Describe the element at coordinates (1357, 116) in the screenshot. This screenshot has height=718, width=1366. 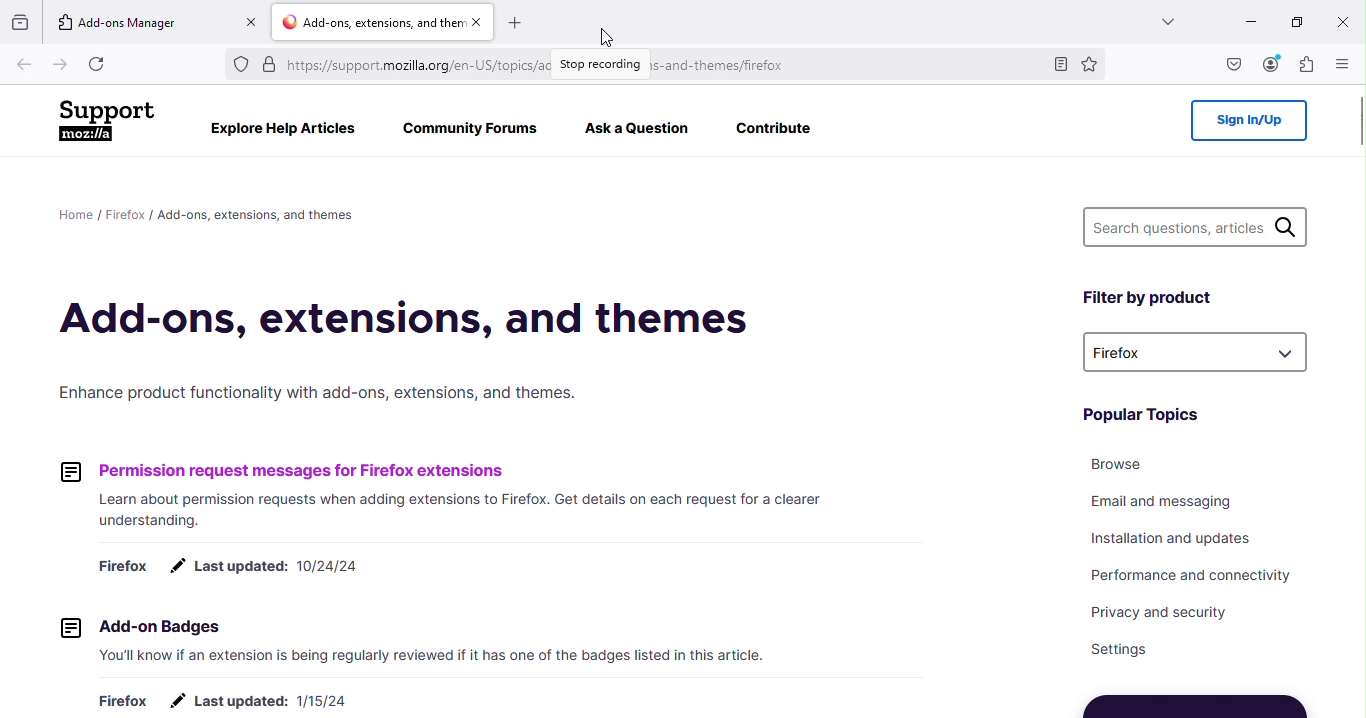
I see `Scroll bar` at that location.